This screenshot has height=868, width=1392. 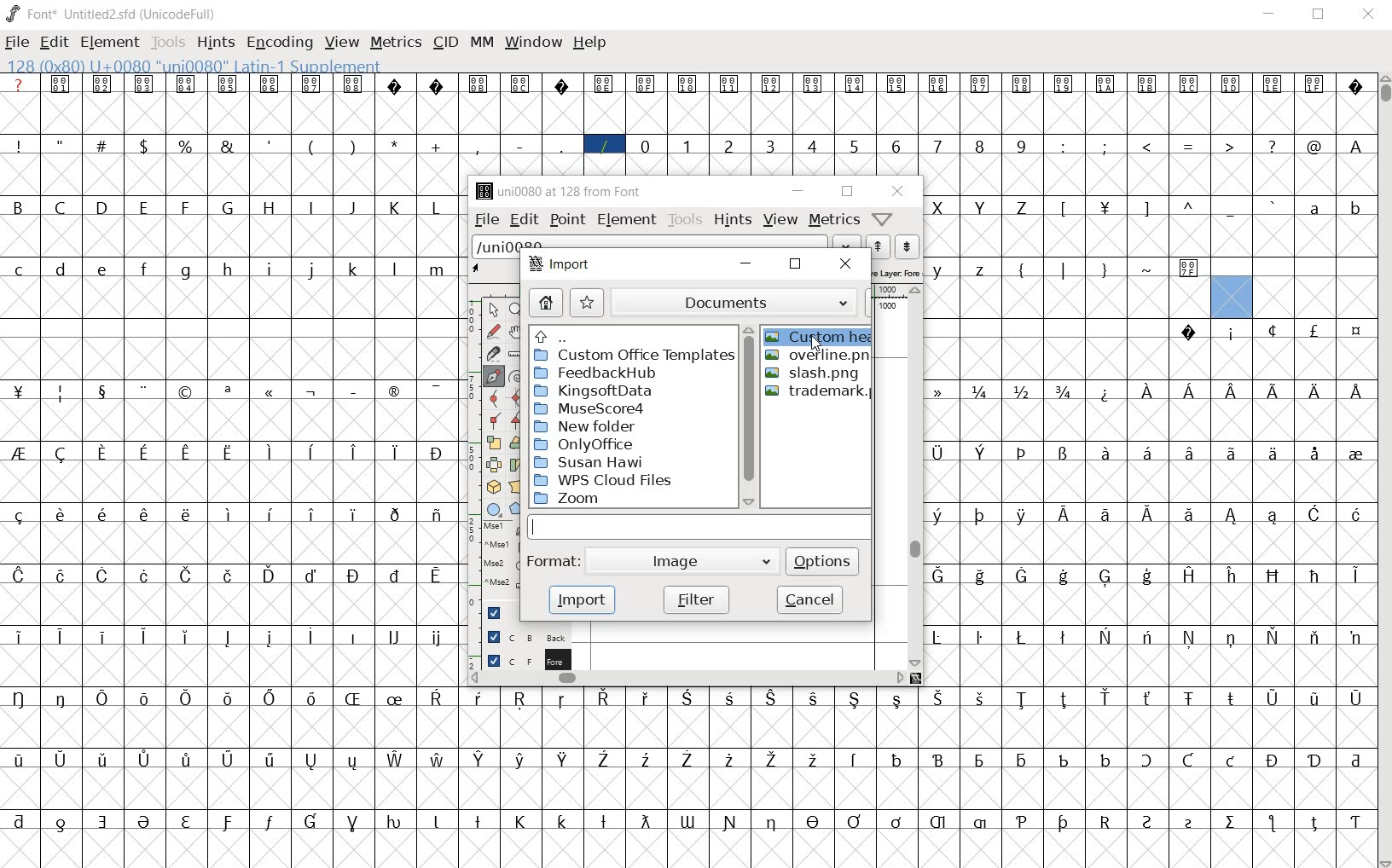 What do you see at coordinates (770, 698) in the screenshot?
I see `glyph` at bounding box center [770, 698].